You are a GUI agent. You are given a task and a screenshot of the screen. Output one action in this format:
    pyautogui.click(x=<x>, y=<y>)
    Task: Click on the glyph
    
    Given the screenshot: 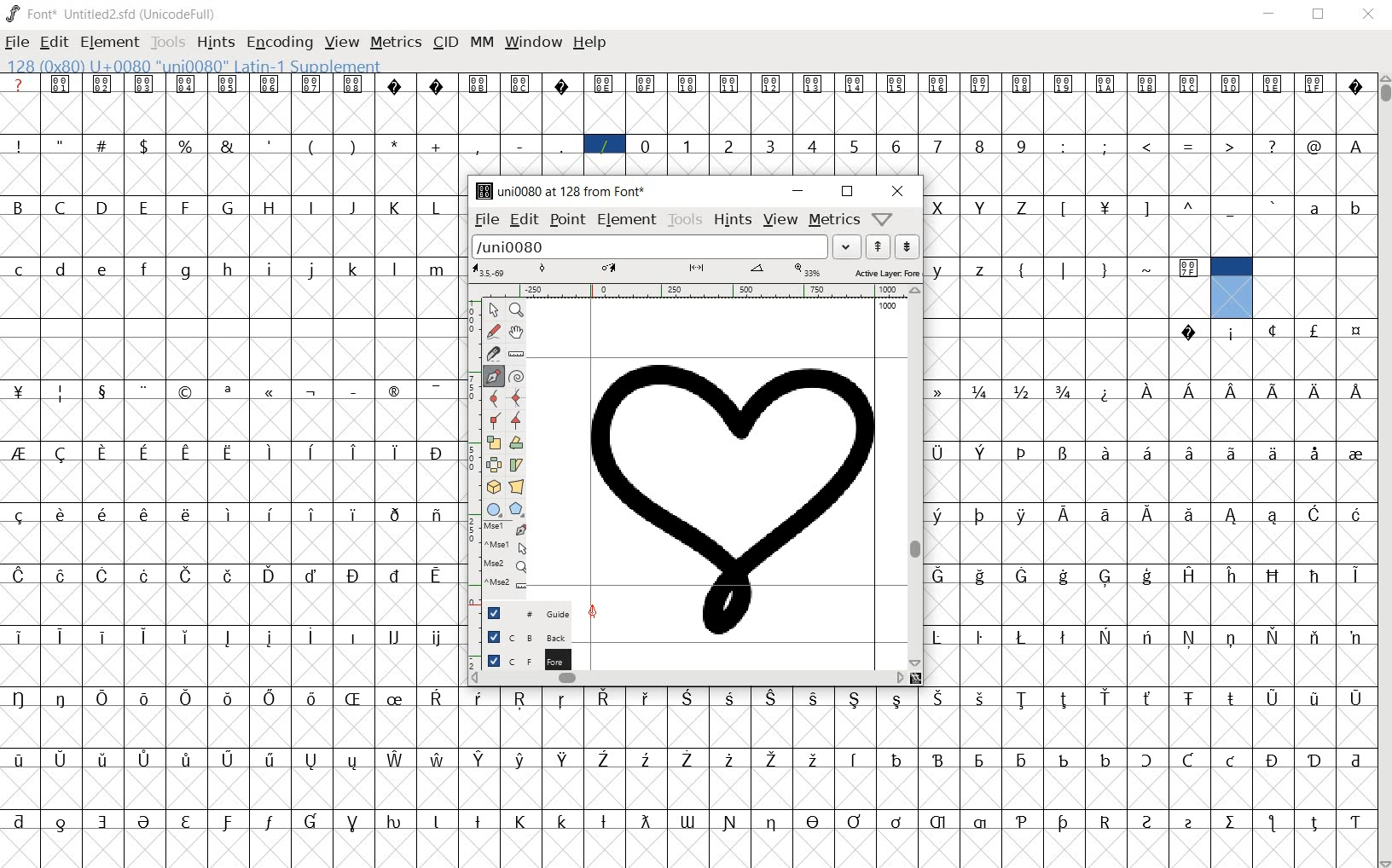 What is the action you would take?
    pyautogui.click(x=18, y=576)
    